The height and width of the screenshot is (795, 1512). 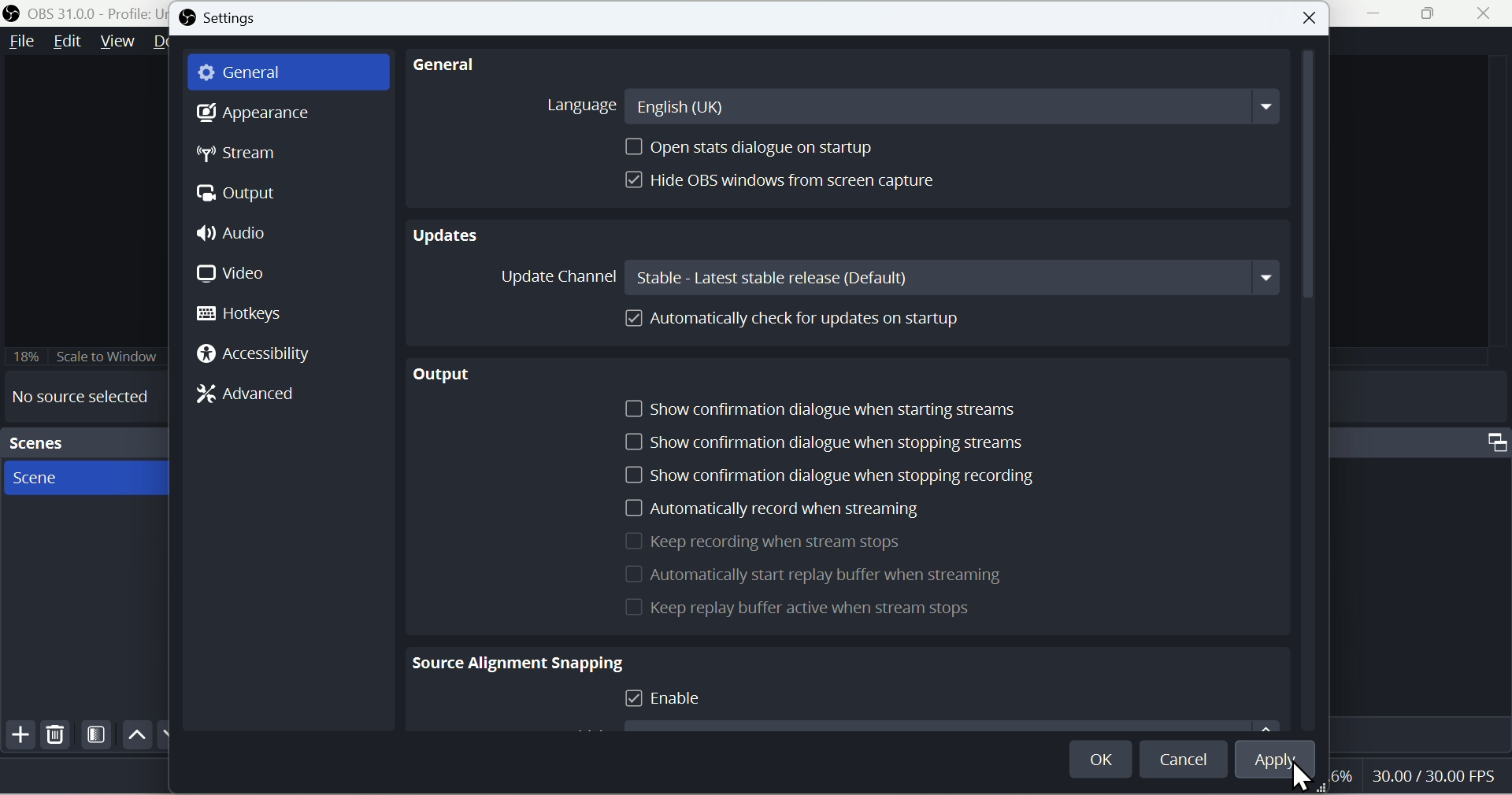 I want to click on Updates, so click(x=449, y=240).